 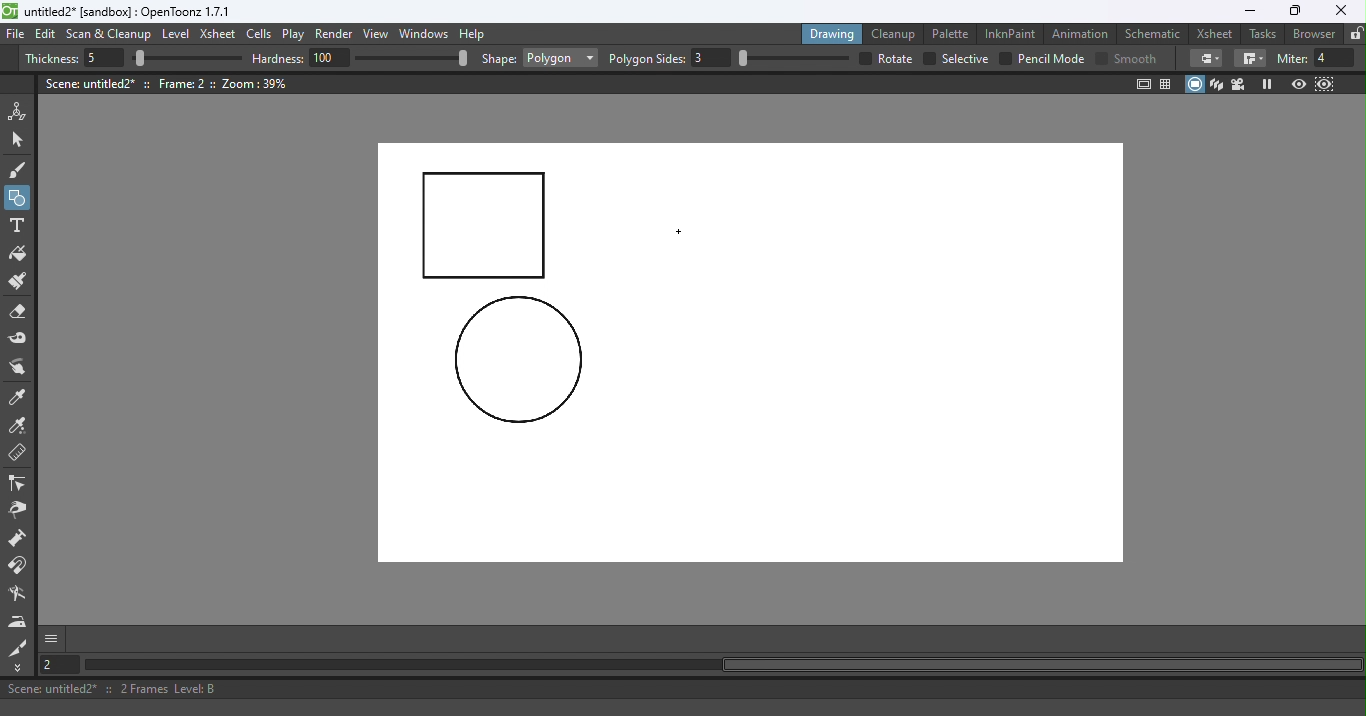 What do you see at coordinates (647, 59) in the screenshot?
I see `Polygon slides` at bounding box center [647, 59].